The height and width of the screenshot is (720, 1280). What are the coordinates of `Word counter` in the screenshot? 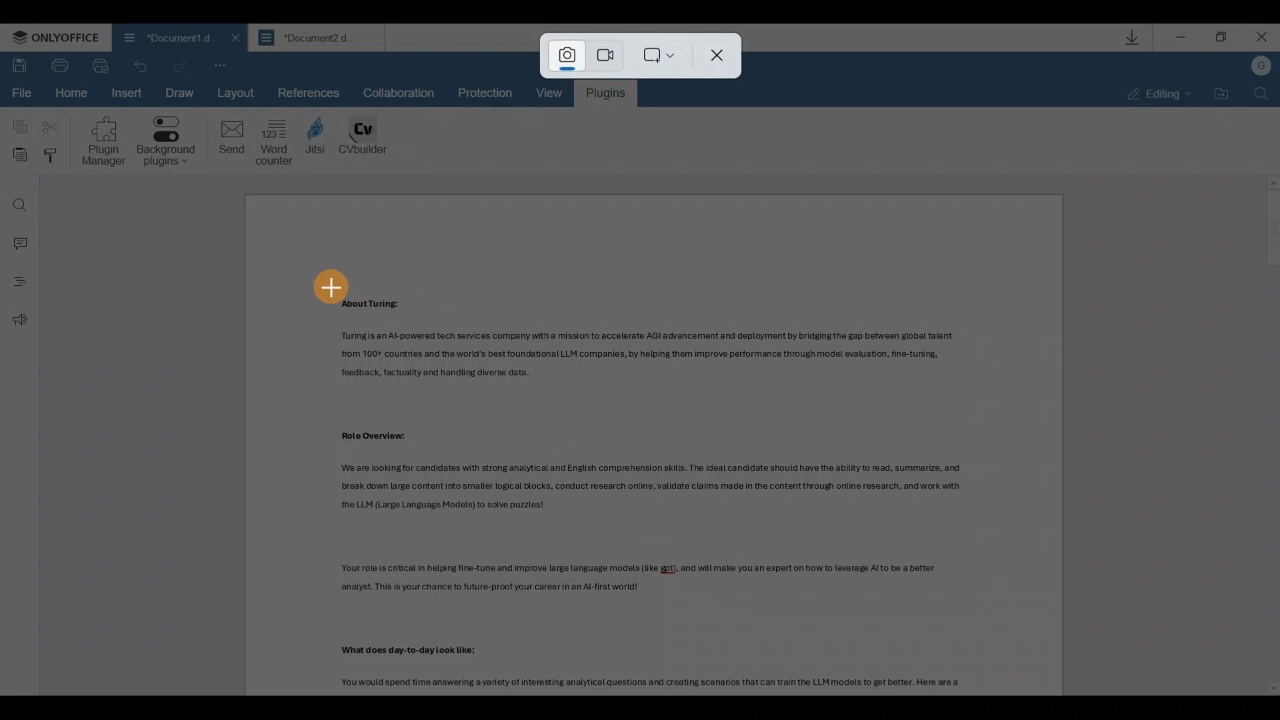 It's located at (275, 141).